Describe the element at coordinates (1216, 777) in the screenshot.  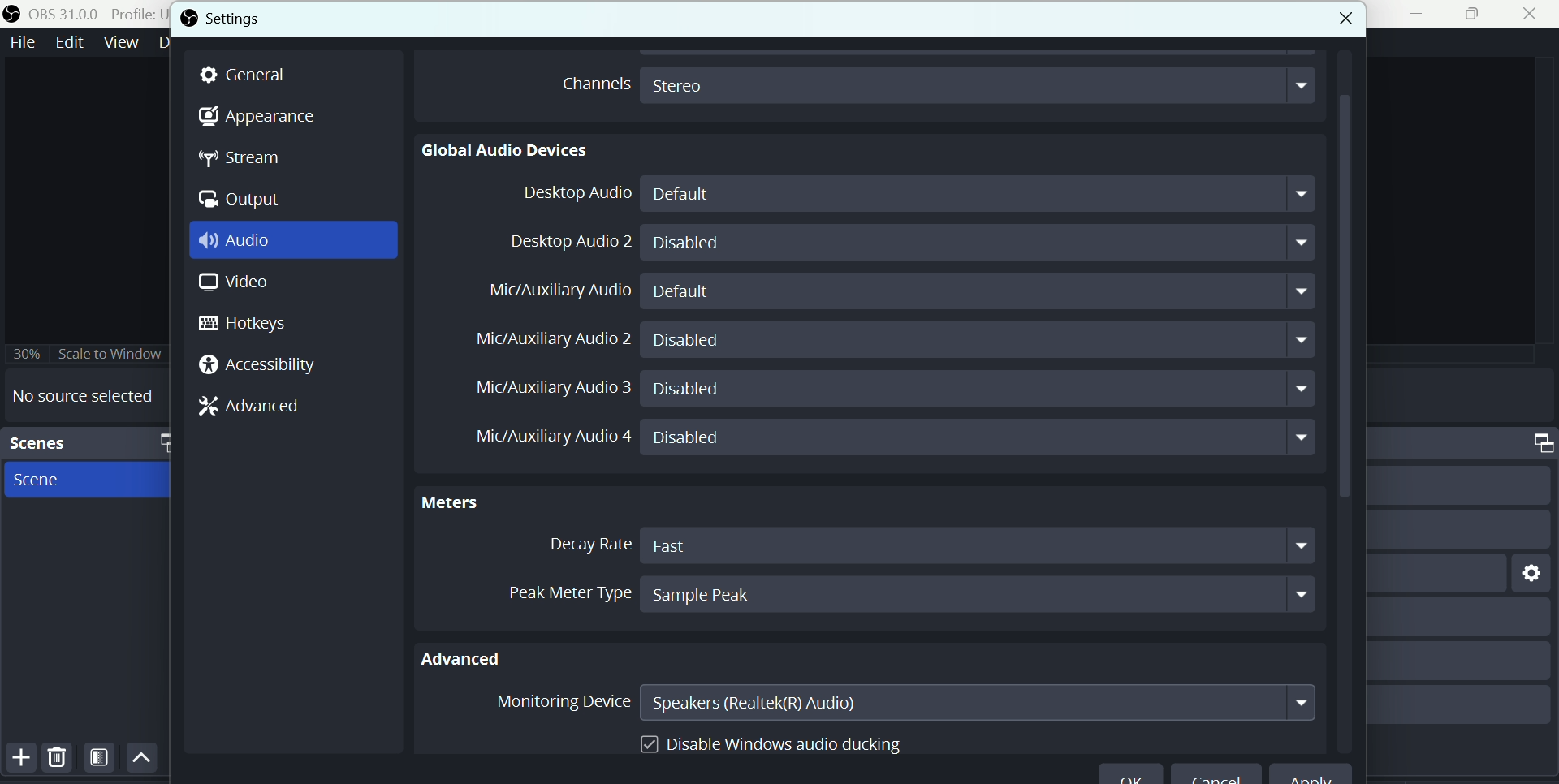
I see `Cancel` at that location.